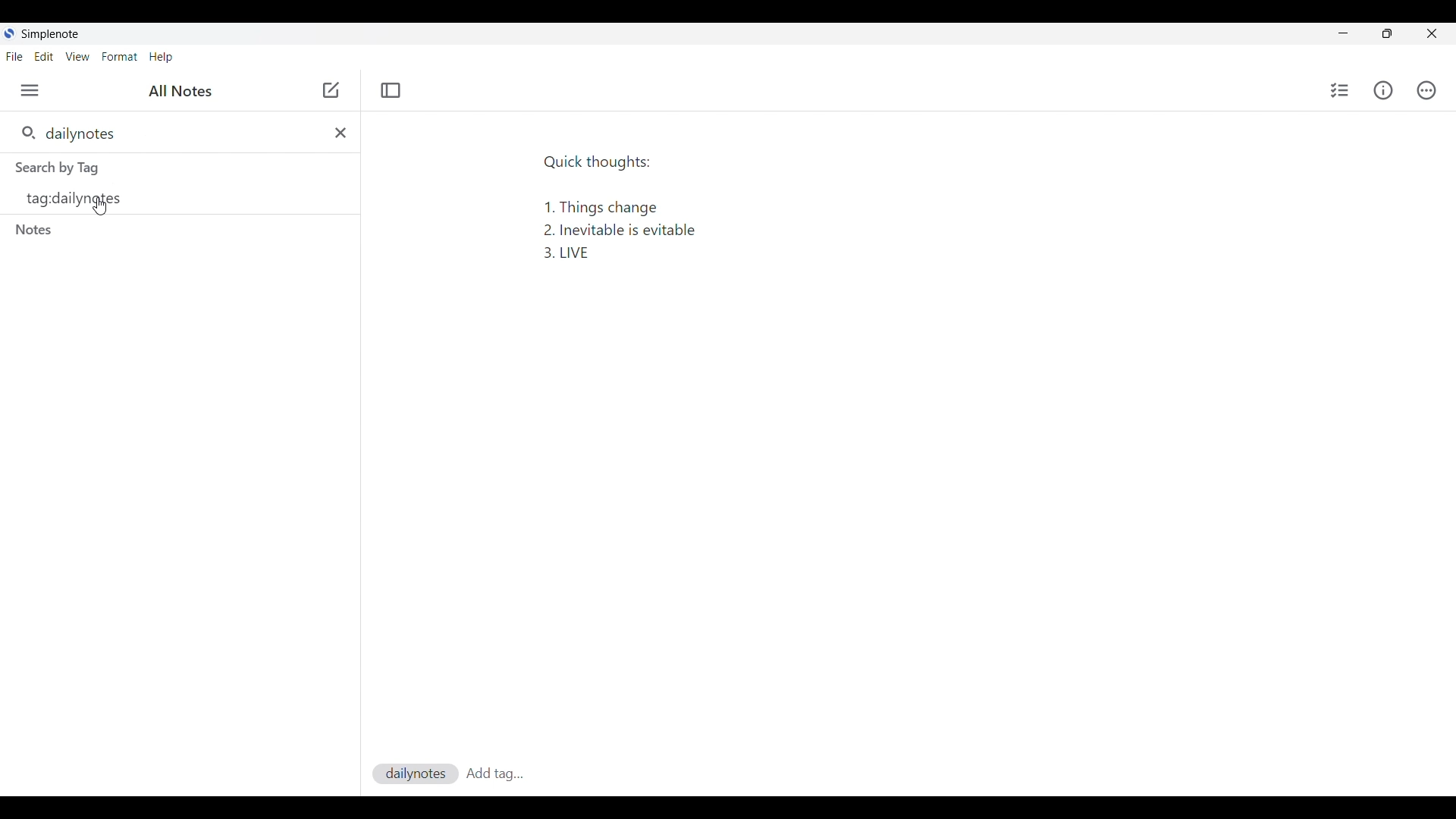  Describe the element at coordinates (58, 168) in the screenshot. I see `Search by tags section` at that location.